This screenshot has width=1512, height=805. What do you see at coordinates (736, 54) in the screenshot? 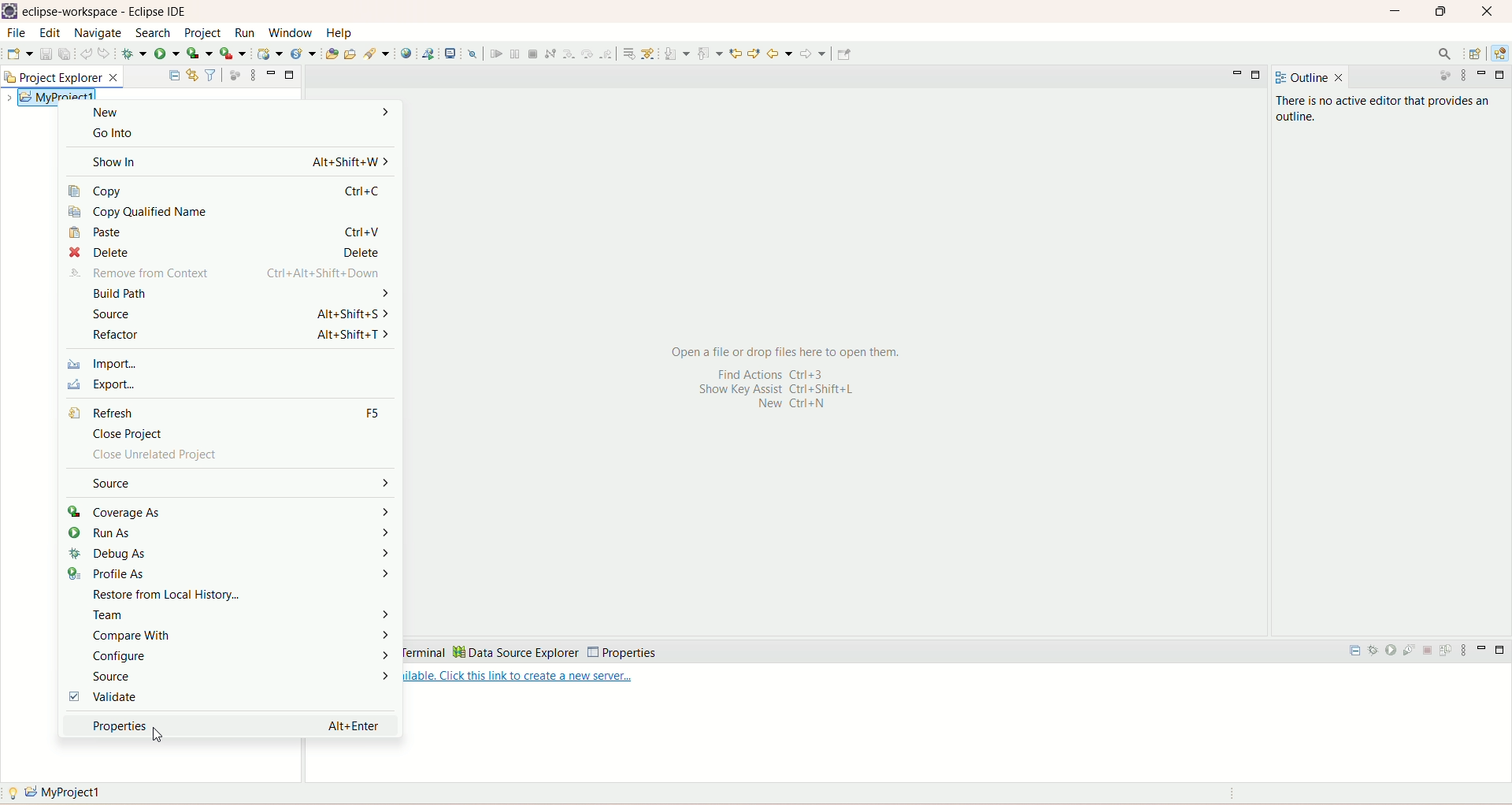
I see `next edit location` at bounding box center [736, 54].